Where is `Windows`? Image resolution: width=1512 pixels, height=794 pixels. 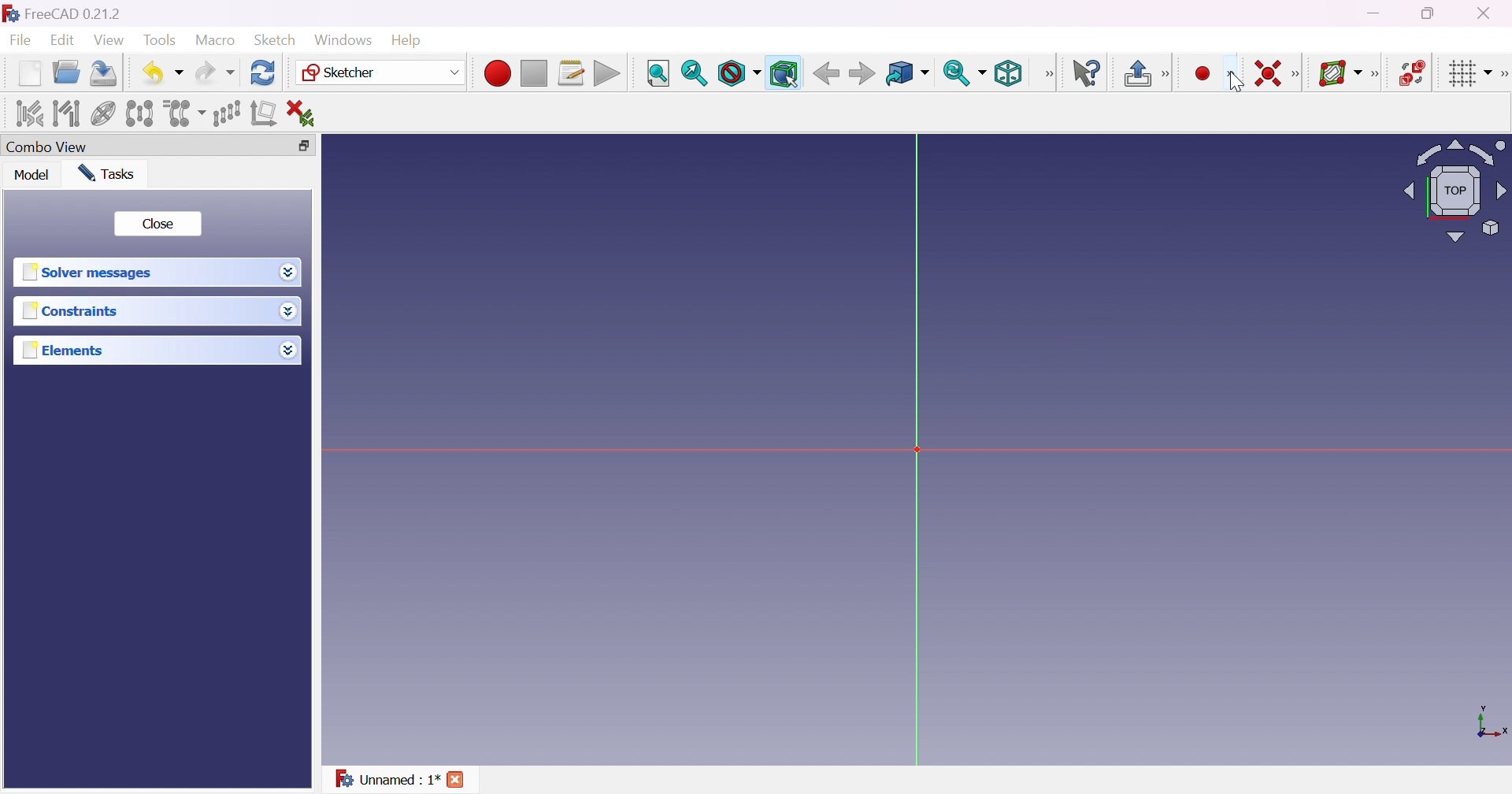
Windows is located at coordinates (343, 39).